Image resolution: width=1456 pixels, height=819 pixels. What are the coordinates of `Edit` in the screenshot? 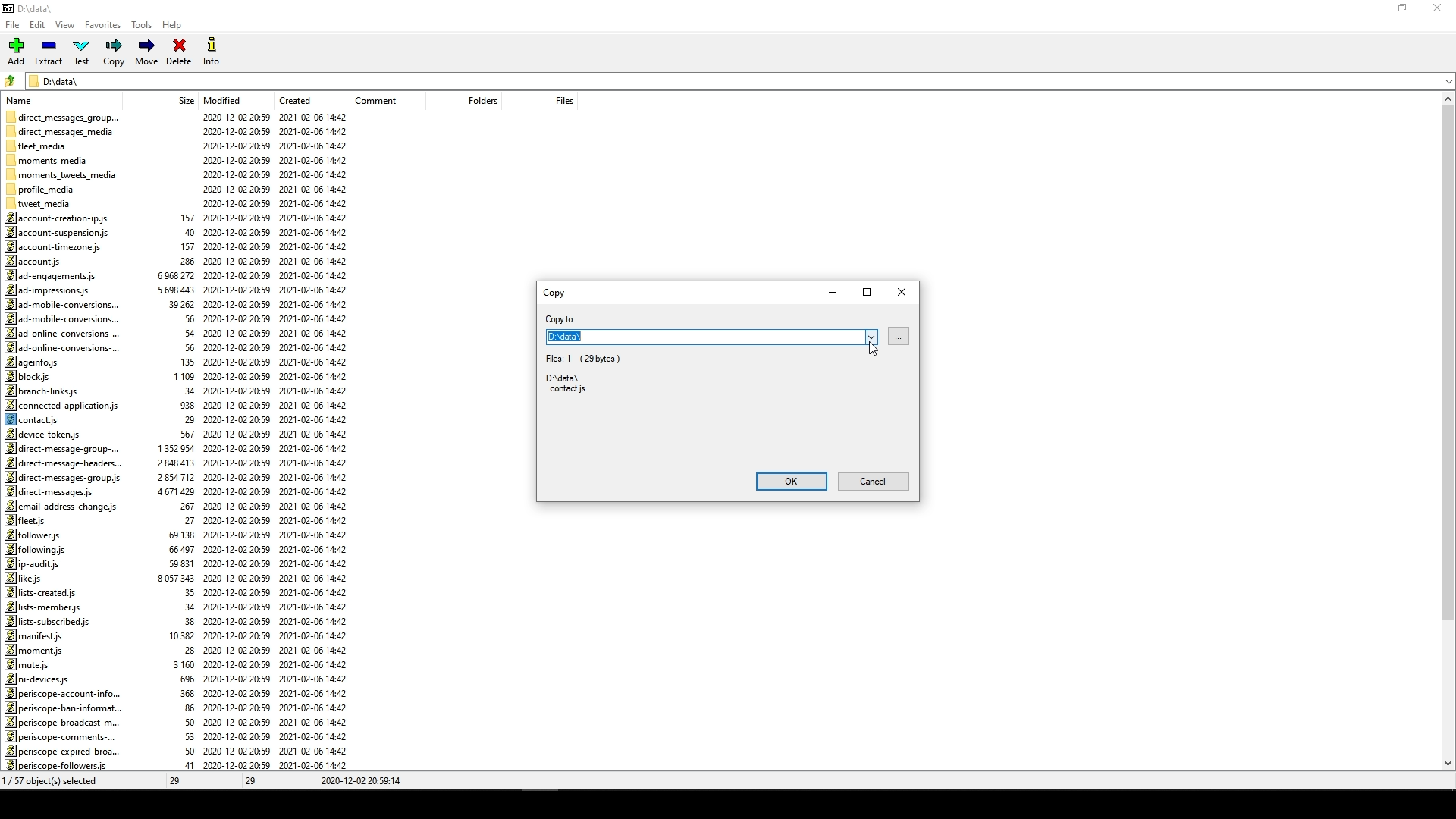 It's located at (37, 24).